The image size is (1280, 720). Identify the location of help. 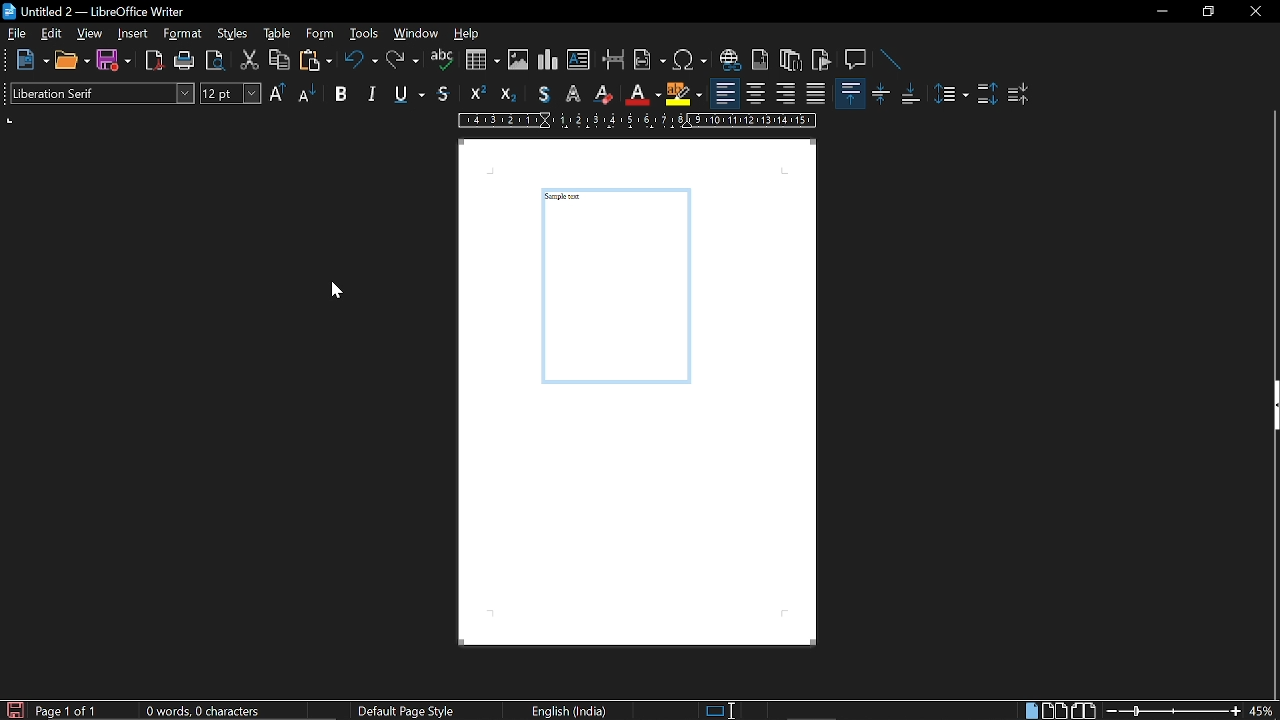
(469, 37).